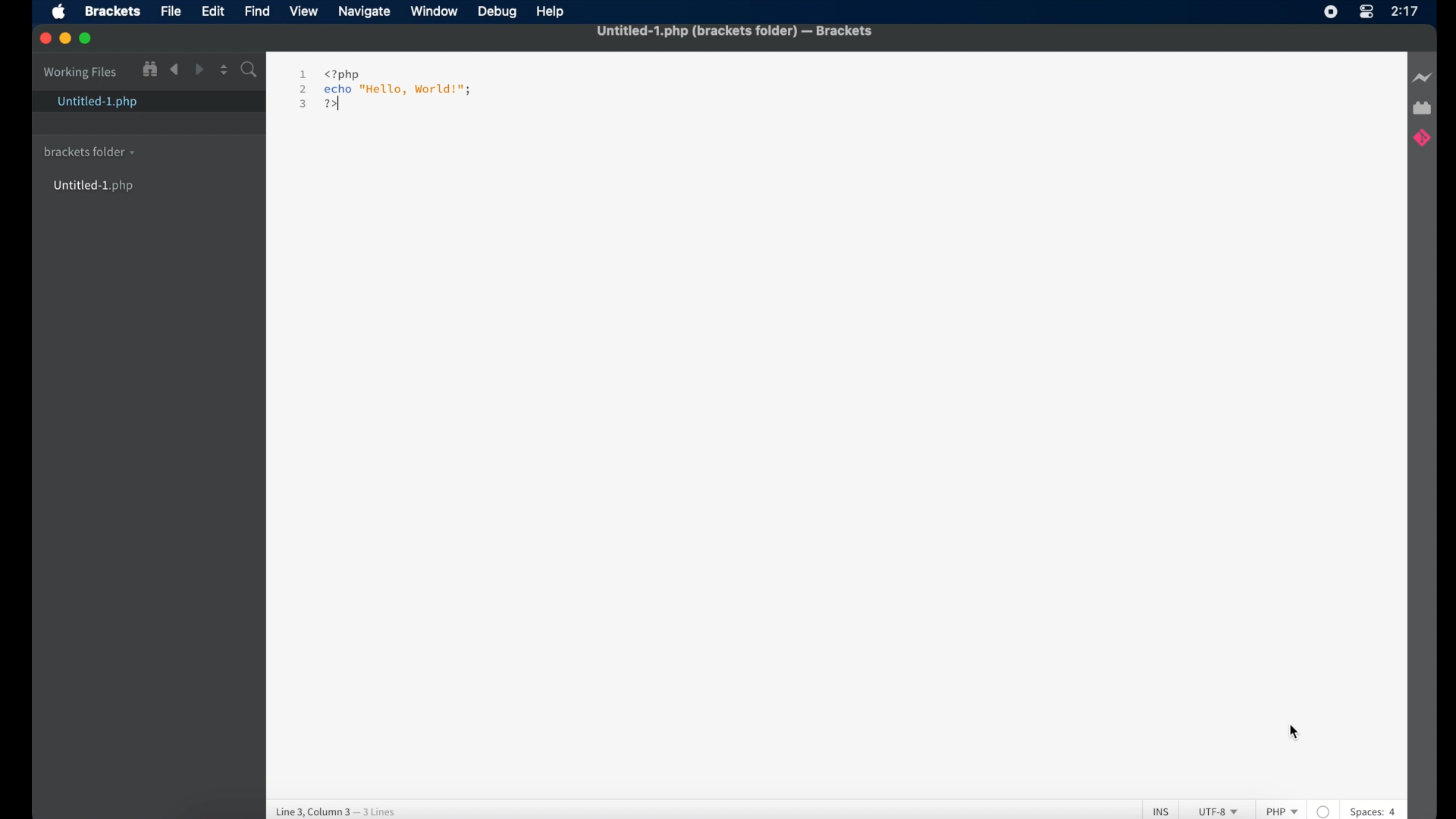  Describe the element at coordinates (89, 152) in the screenshot. I see `brackets folder  dropdown menu` at that location.